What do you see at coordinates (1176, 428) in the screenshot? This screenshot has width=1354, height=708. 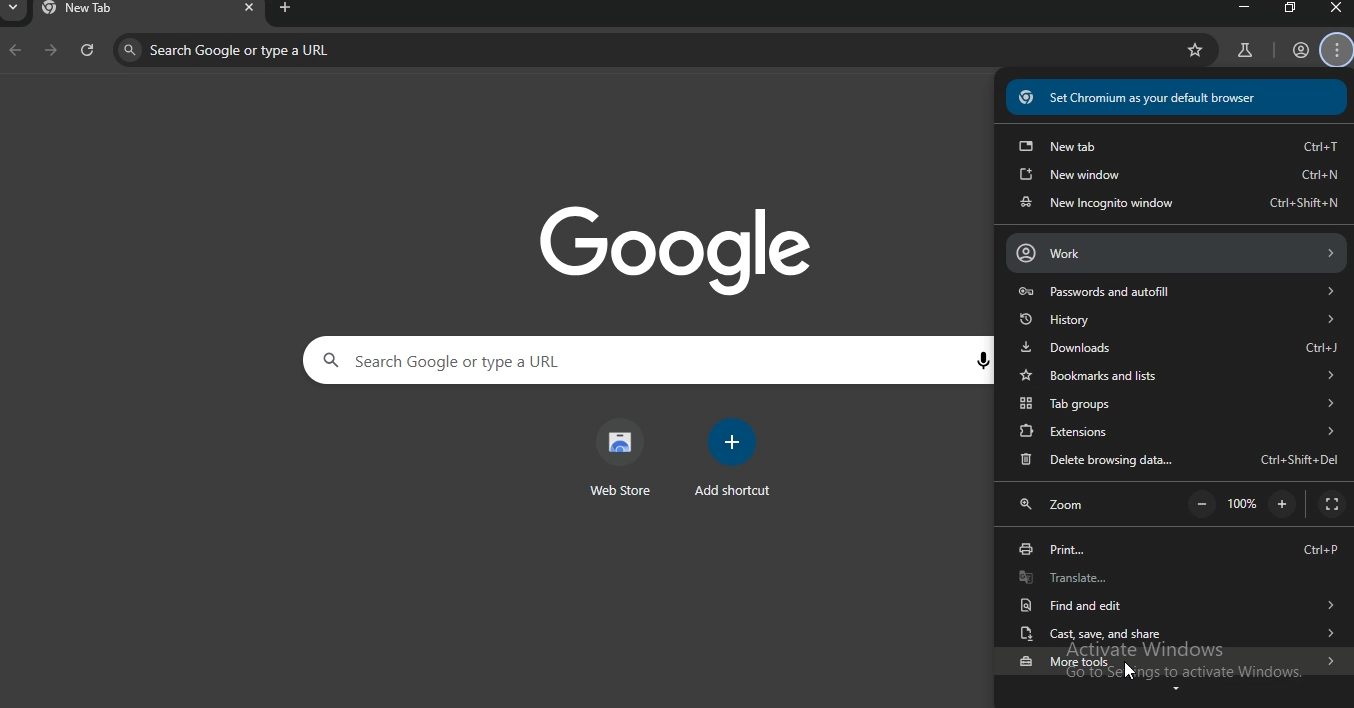 I see `extensions` at bounding box center [1176, 428].